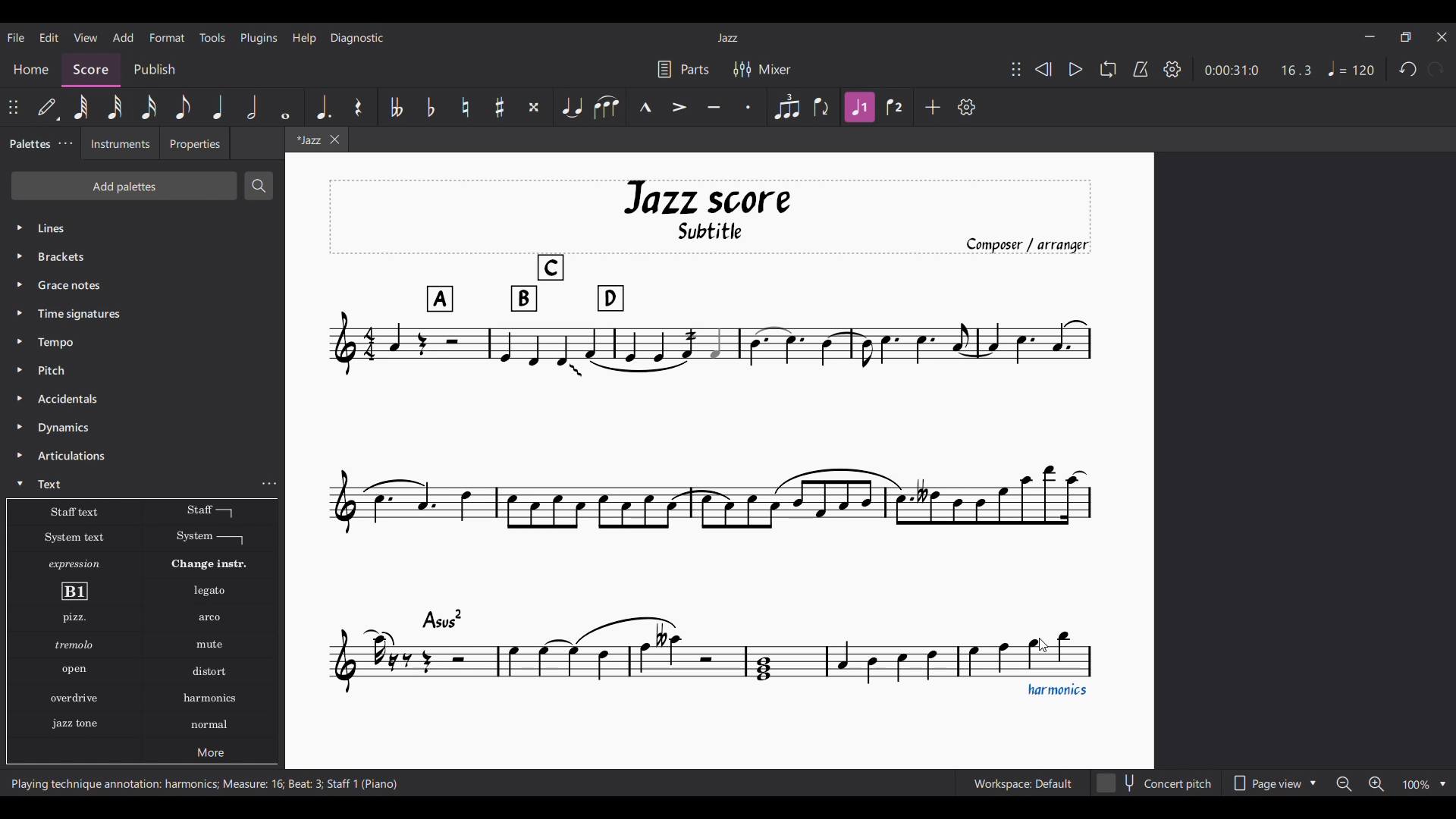  Describe the element at coordinates (1109, 69) in the screenshot. I see `Loop playback` at that location.